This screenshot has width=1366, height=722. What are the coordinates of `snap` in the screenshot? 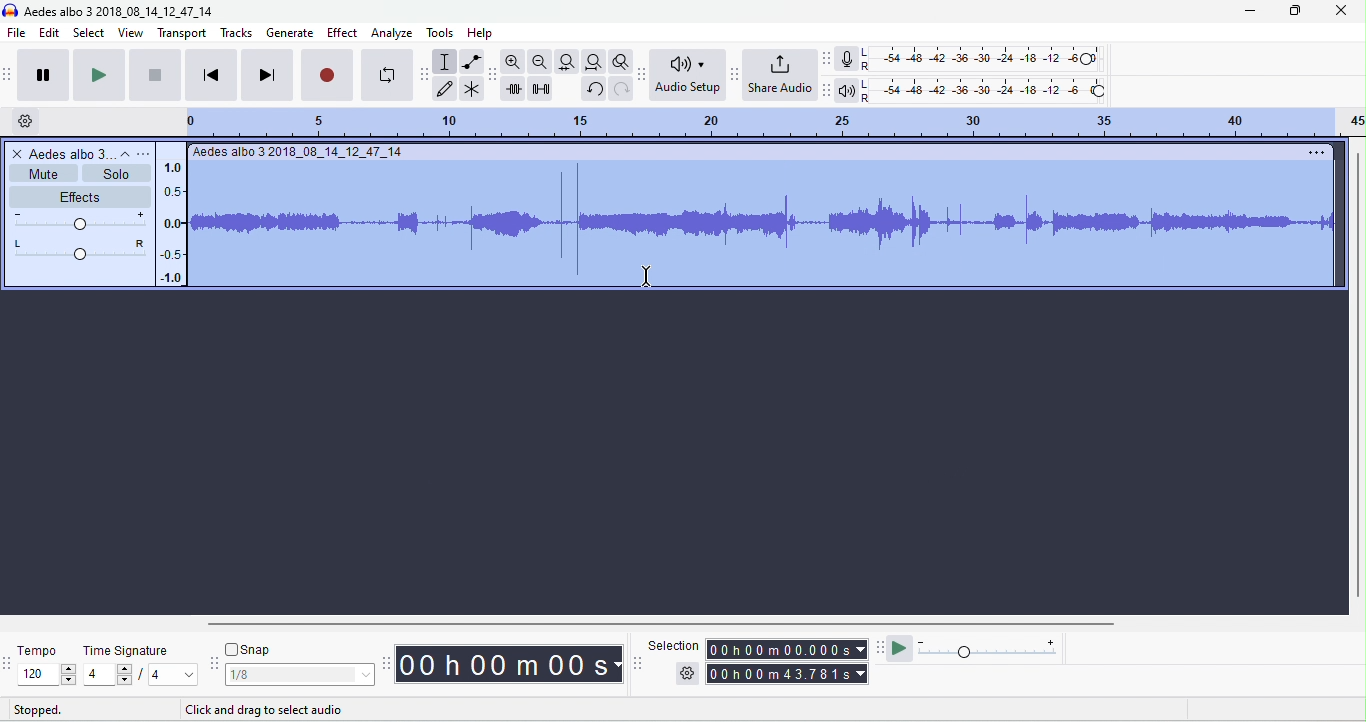 It's located at (251, 649).